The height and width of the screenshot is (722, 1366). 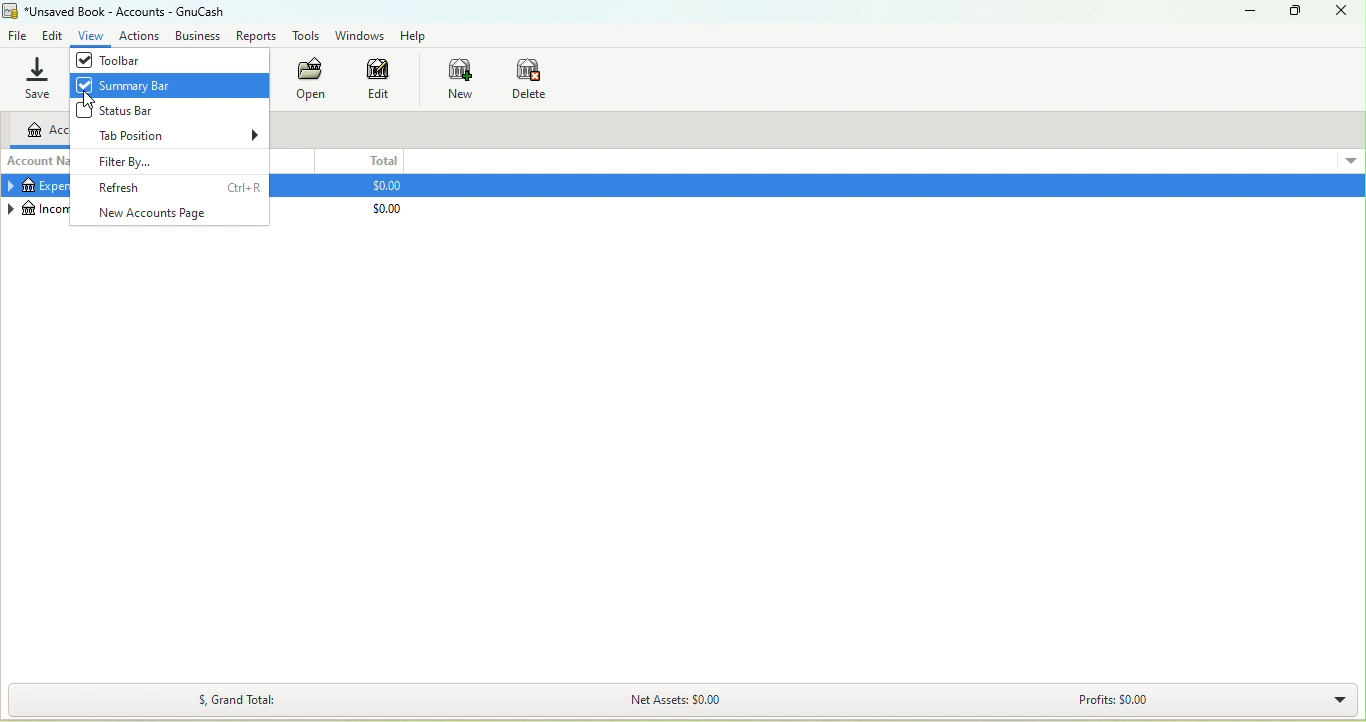 What do you see at coordinates (53, 36) in the screenshot?
I see `Edit` at bounding box center [53, 36].